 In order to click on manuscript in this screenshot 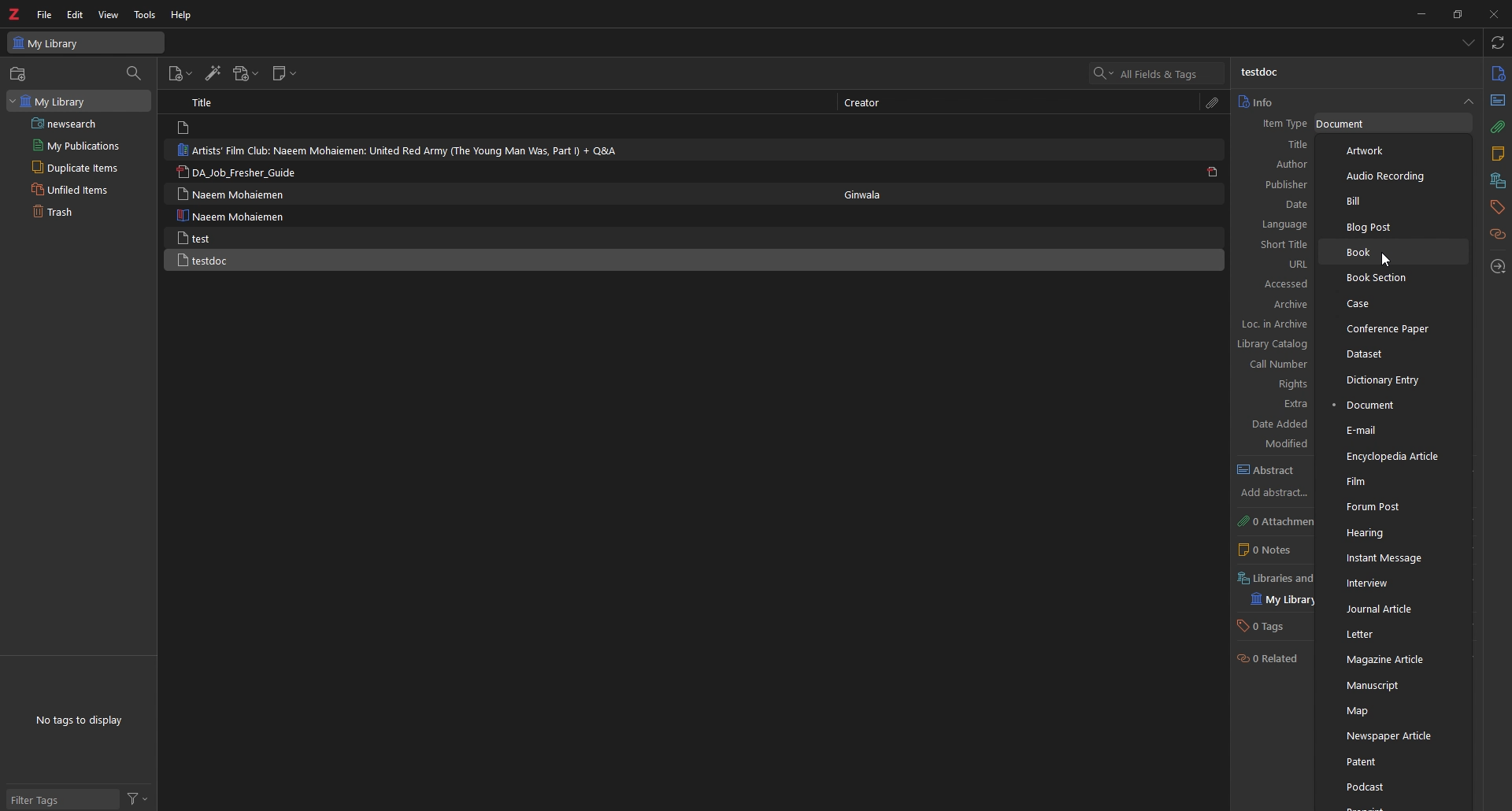, I will do `click(1393, 685)`.